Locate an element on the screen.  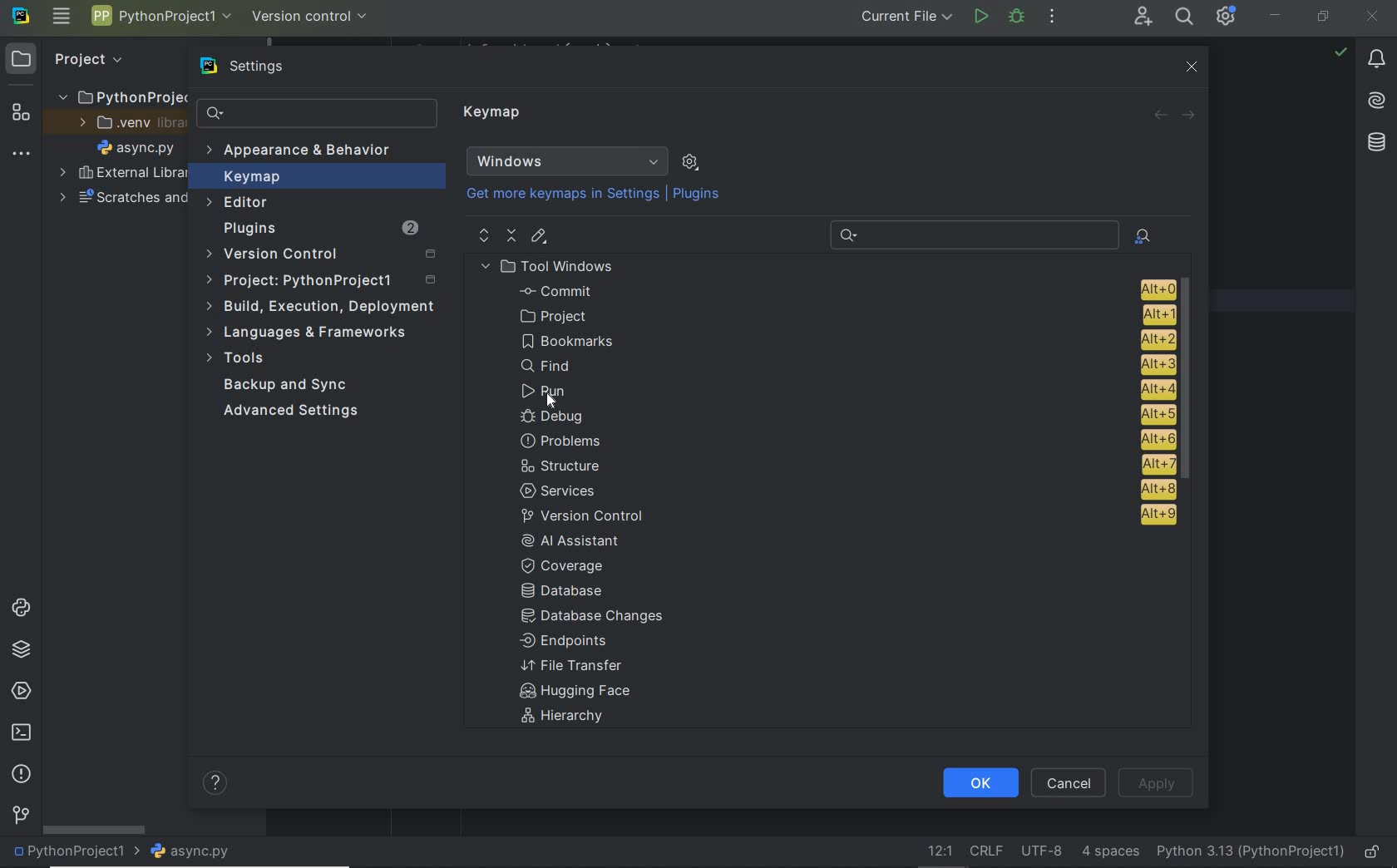
close is located at coordinates (1374, 15).